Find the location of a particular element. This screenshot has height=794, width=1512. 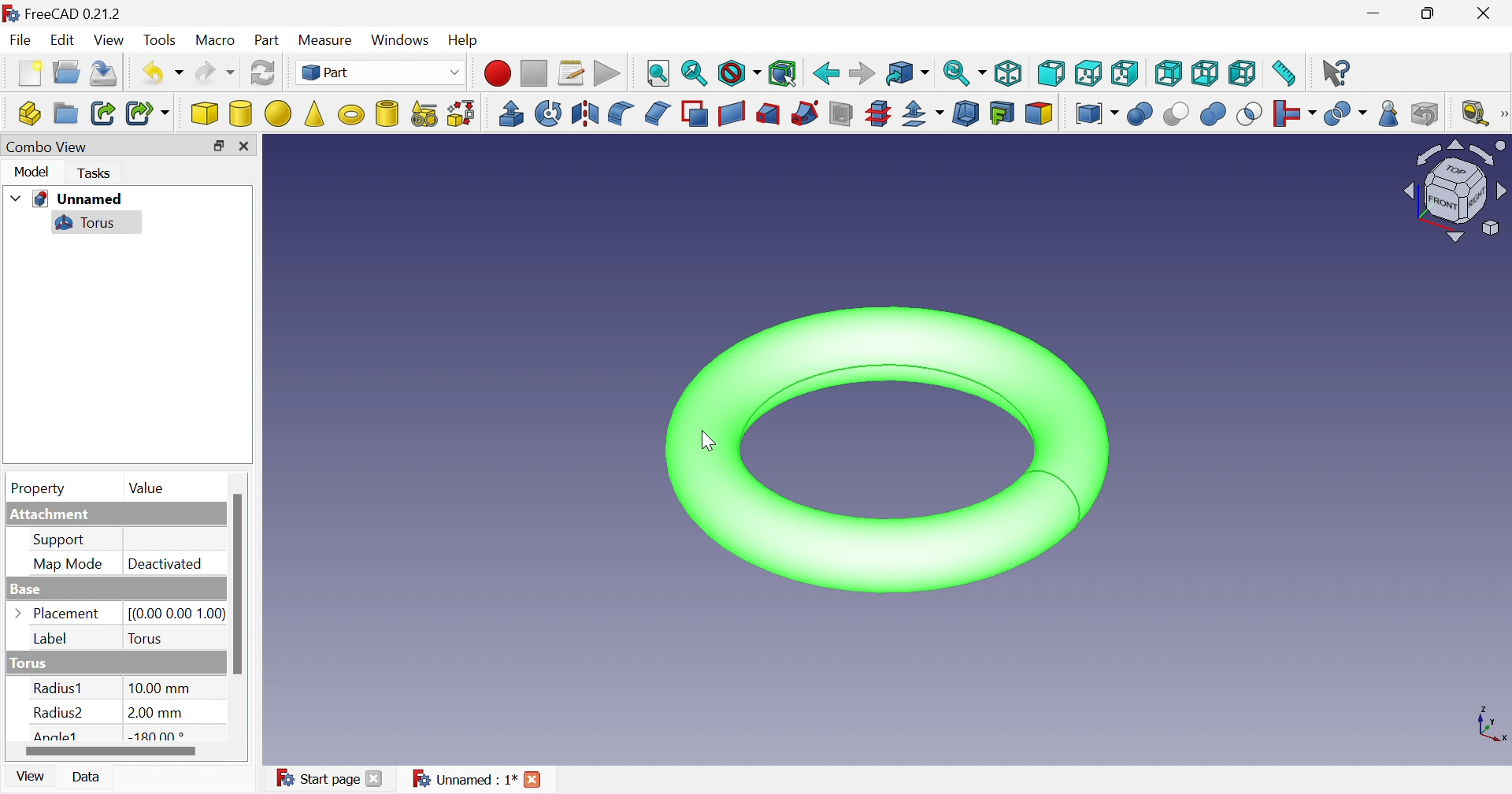

Radius2 is located at coordinates (58, 714).